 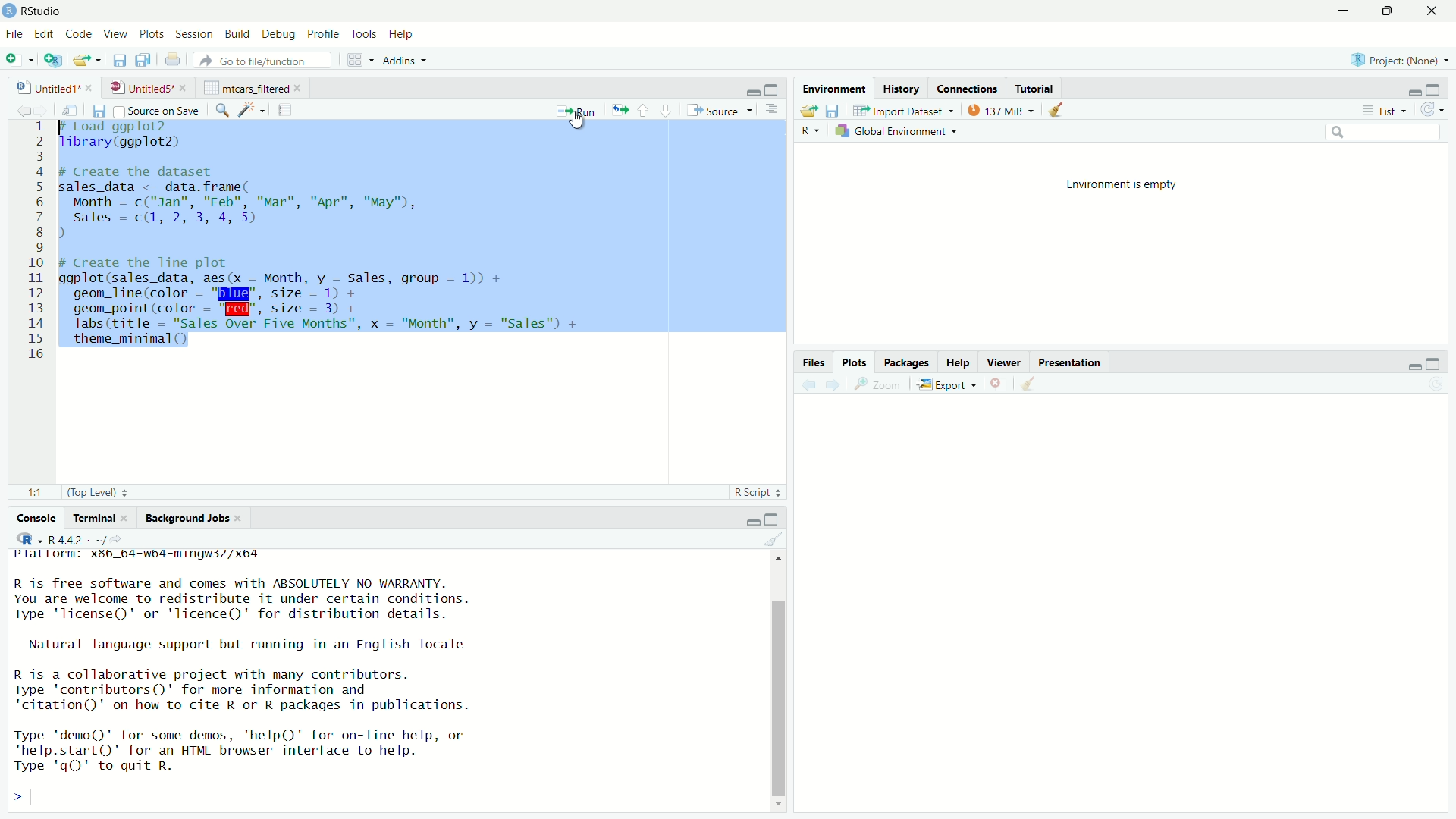 I want to click on source on save, so click(x=158, y=111).